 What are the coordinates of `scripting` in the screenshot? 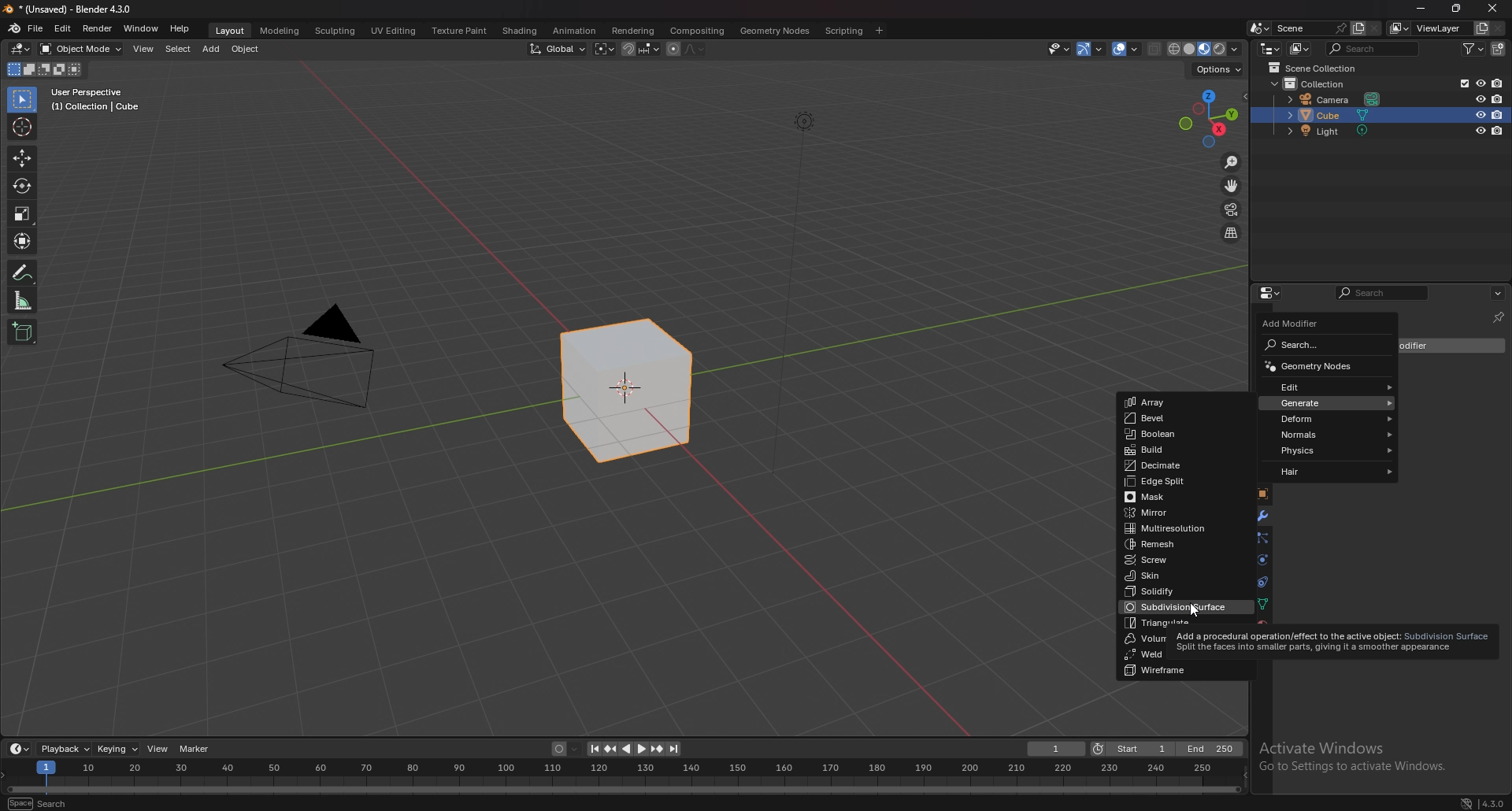 It's located at (843, 31).